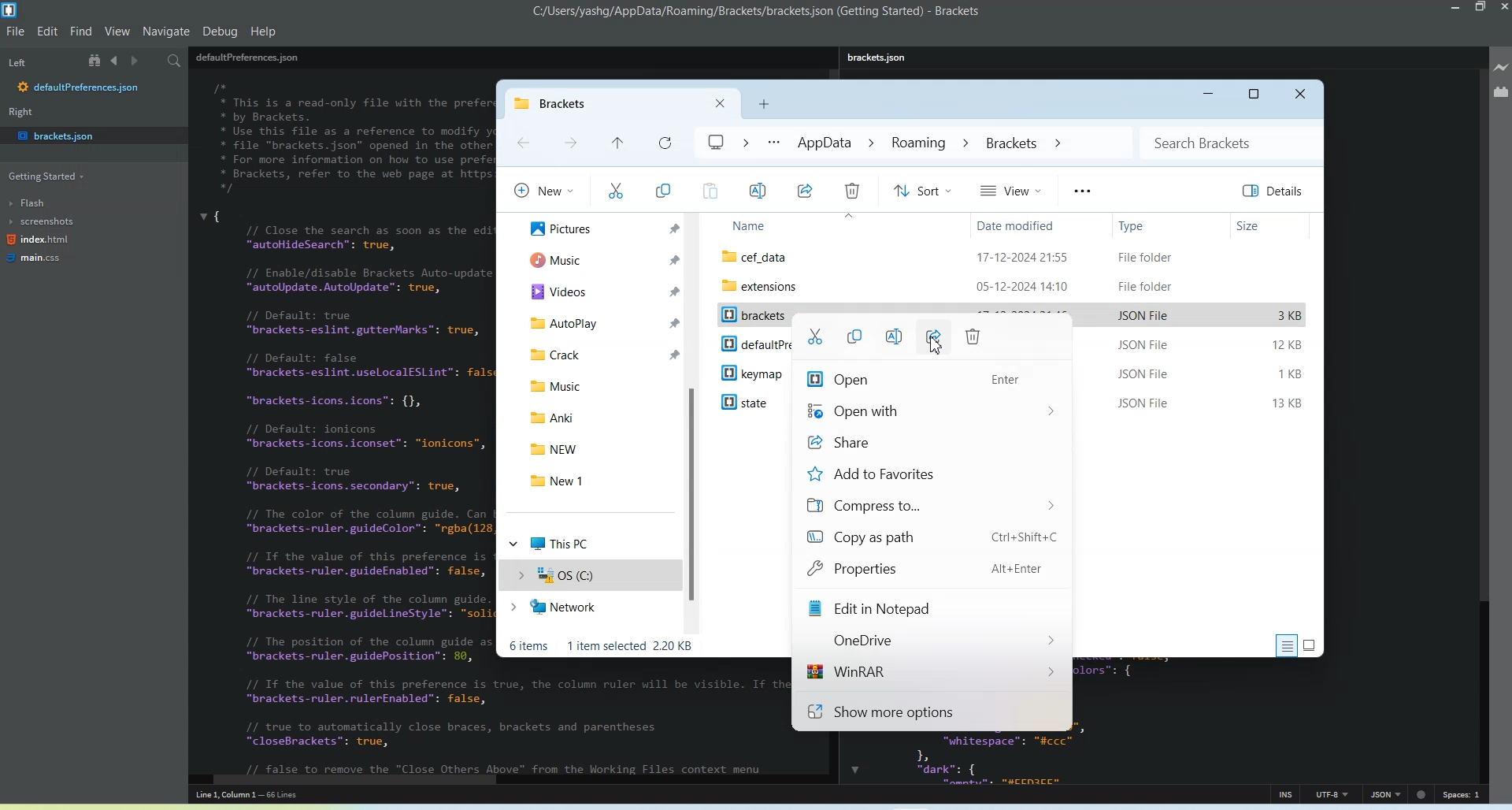 The height and width of the screenshot is (810, 1512). Describe the element at coordinates (265, 796) in the screenshot. I see `line1, column 1, 66 lines` at that location.